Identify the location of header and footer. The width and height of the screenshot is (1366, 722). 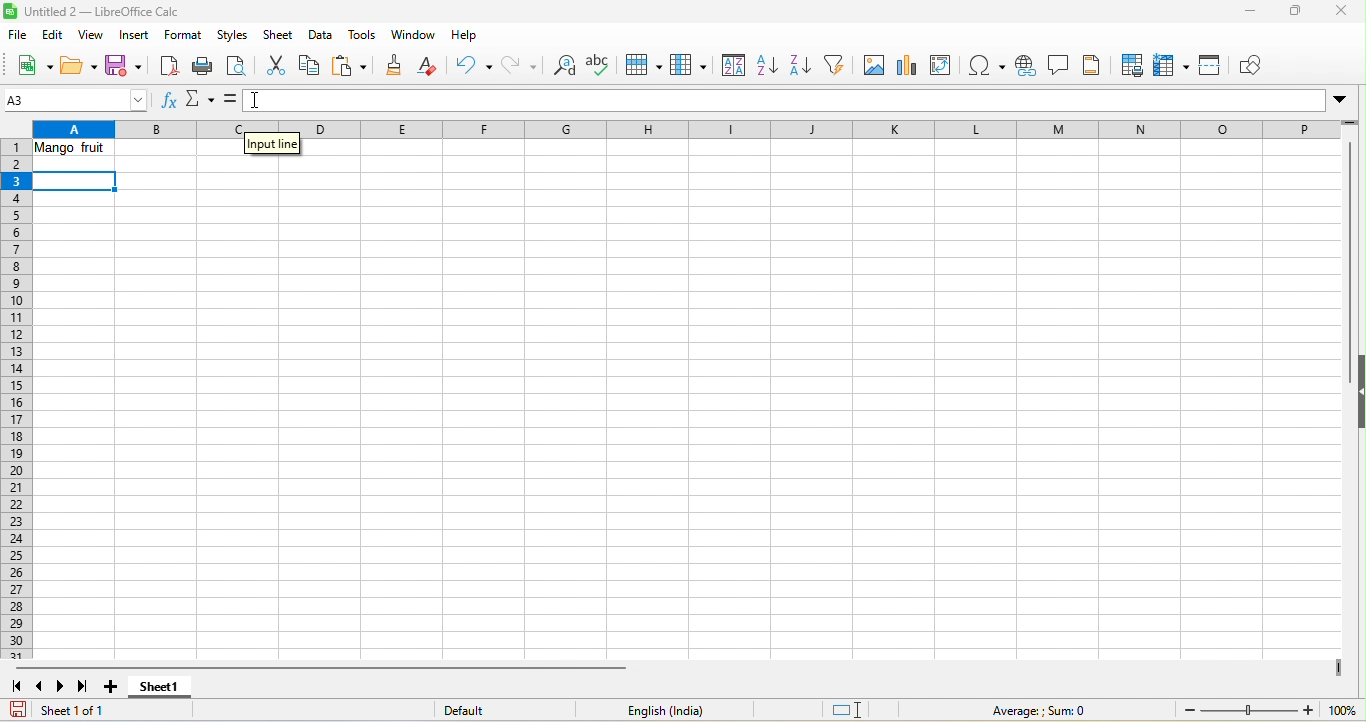
(1095, 65).